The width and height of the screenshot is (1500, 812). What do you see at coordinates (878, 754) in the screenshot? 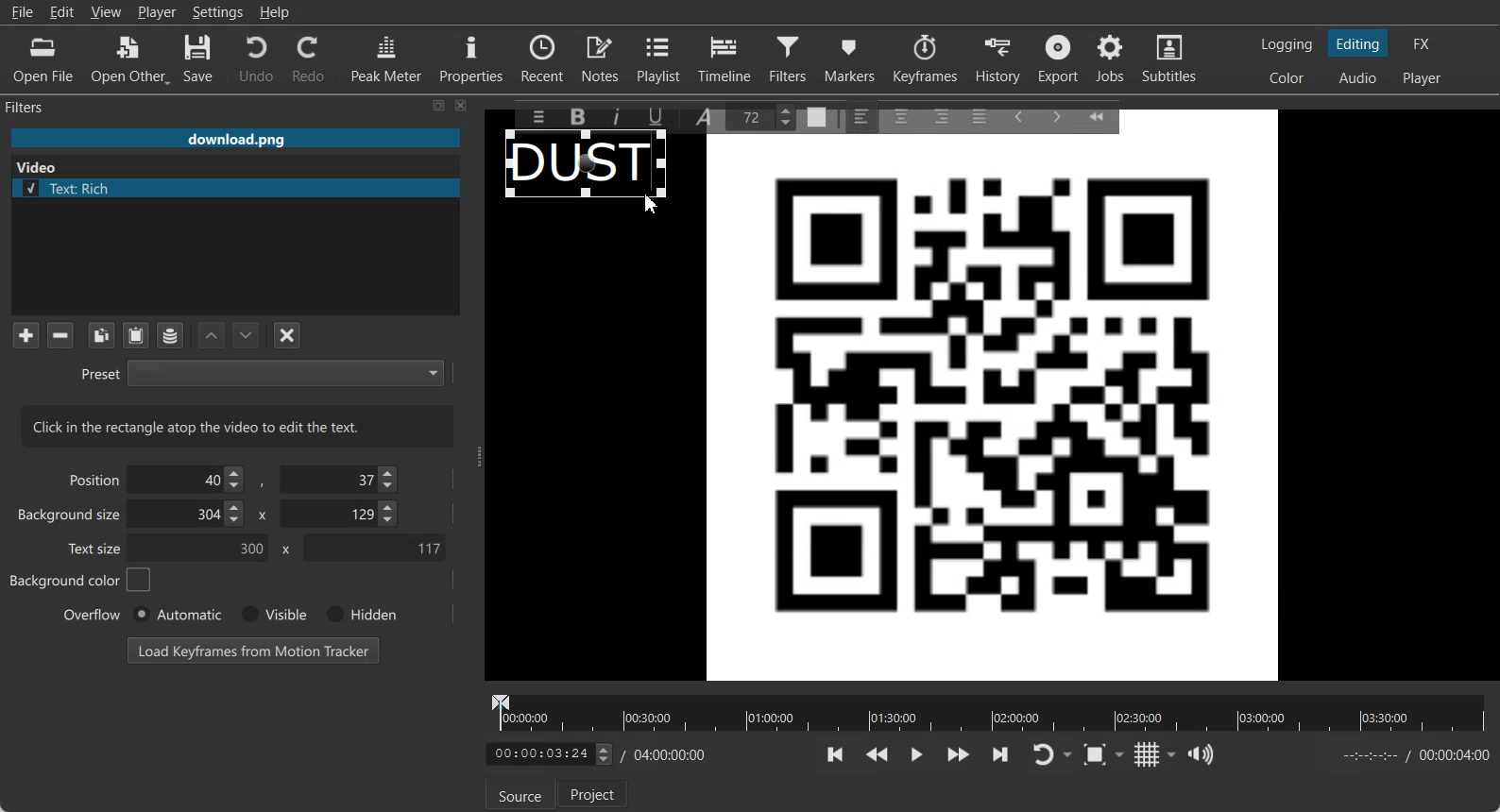
I see `Play Quickly backward` at bounding box center [878, 754].